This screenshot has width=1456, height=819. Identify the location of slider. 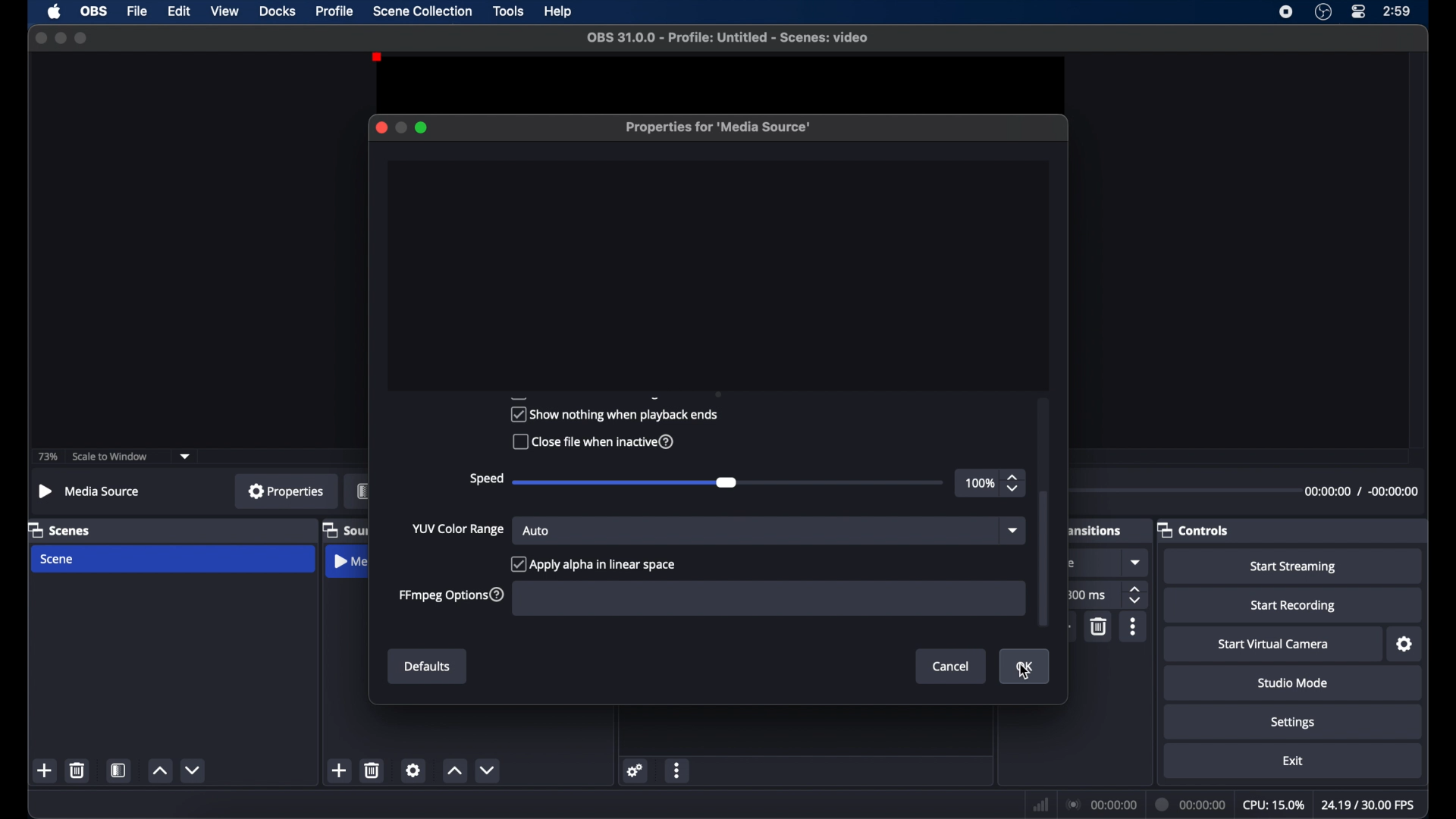
(728, 483).